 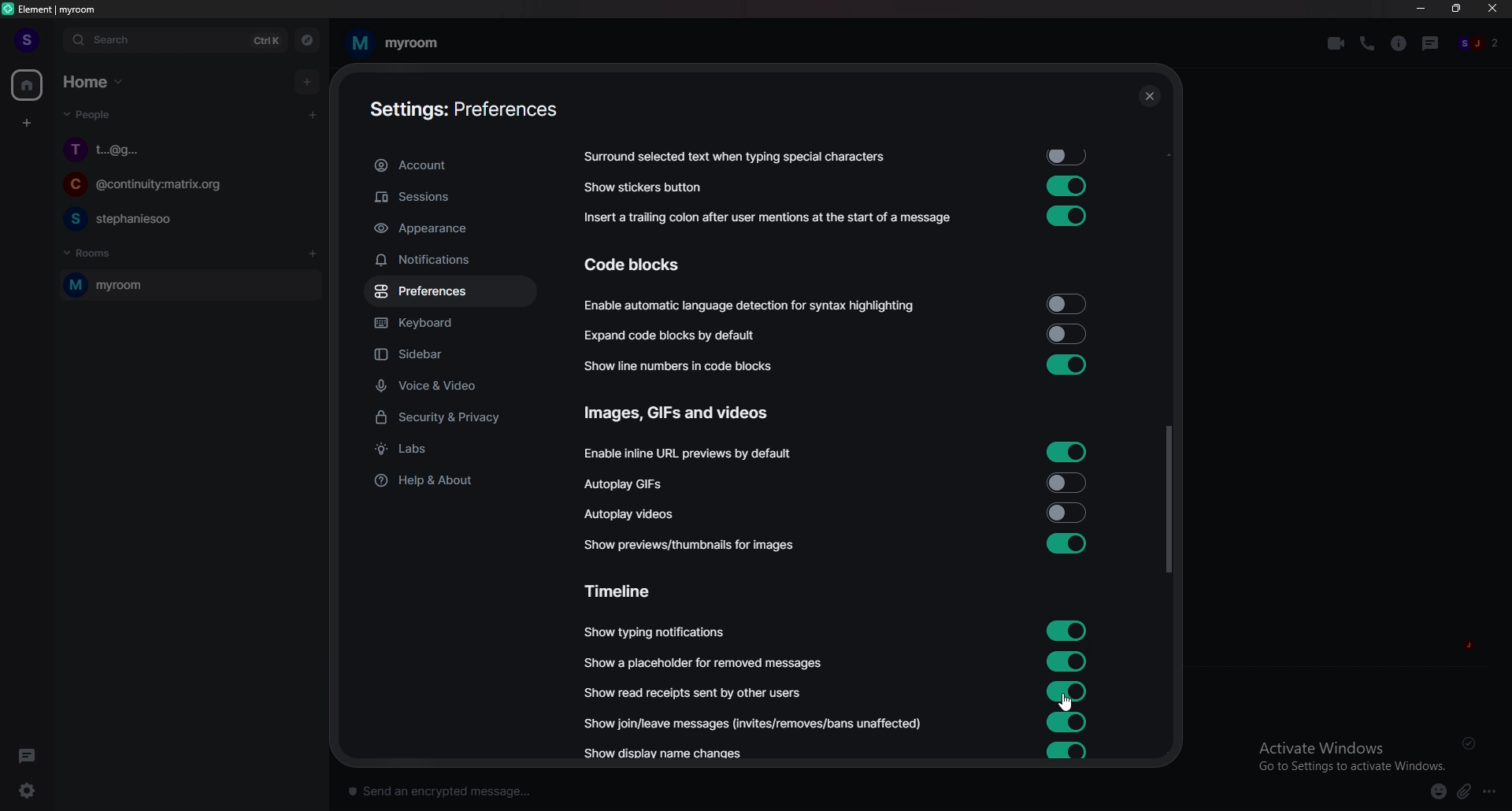 What do you see at coordinates (1432, 43) in the screenshot?
I see `thread` at bounding box center [1432, 43].